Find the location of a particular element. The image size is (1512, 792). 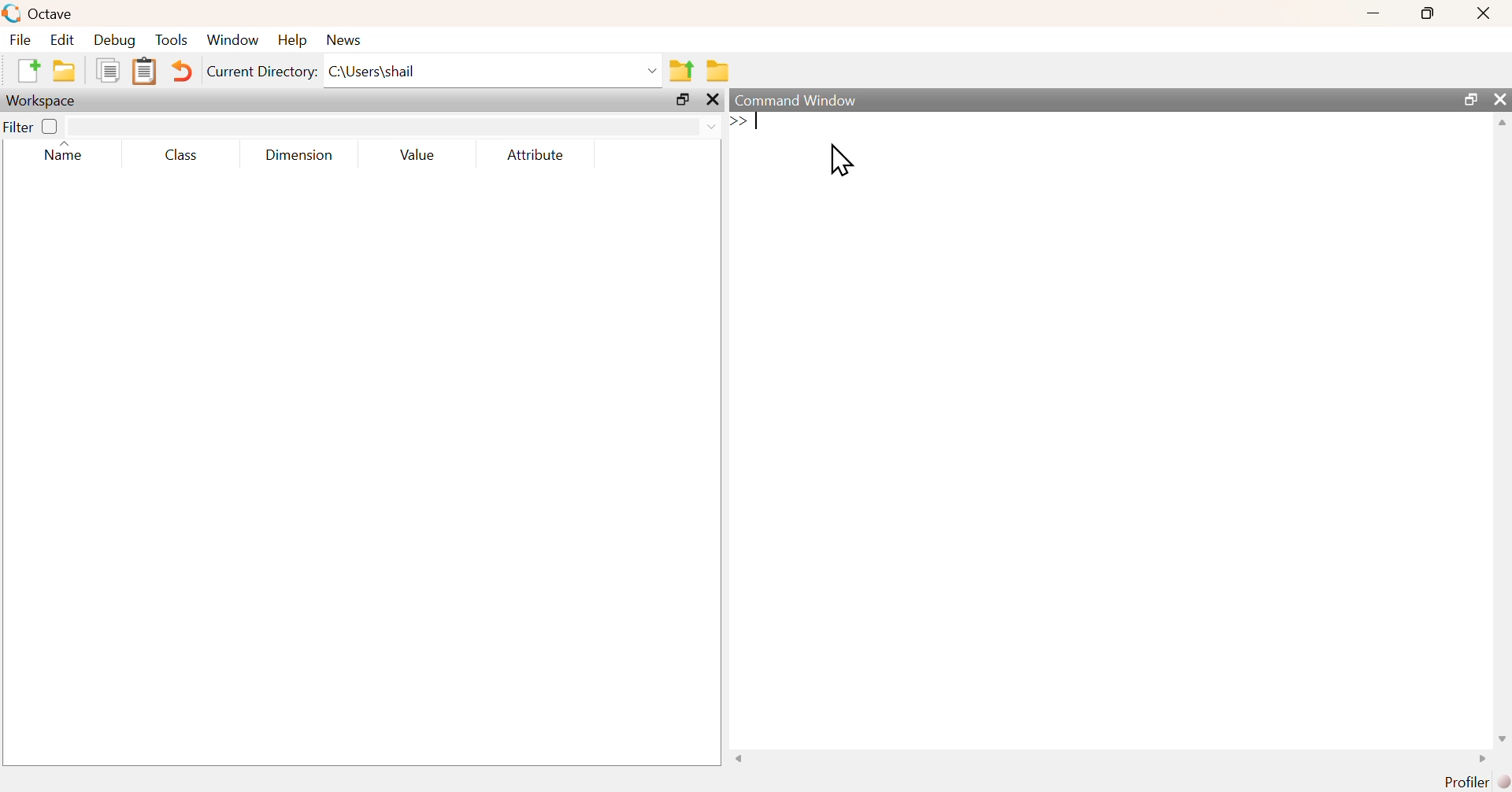

Filter is located at coordinates (33, 126).